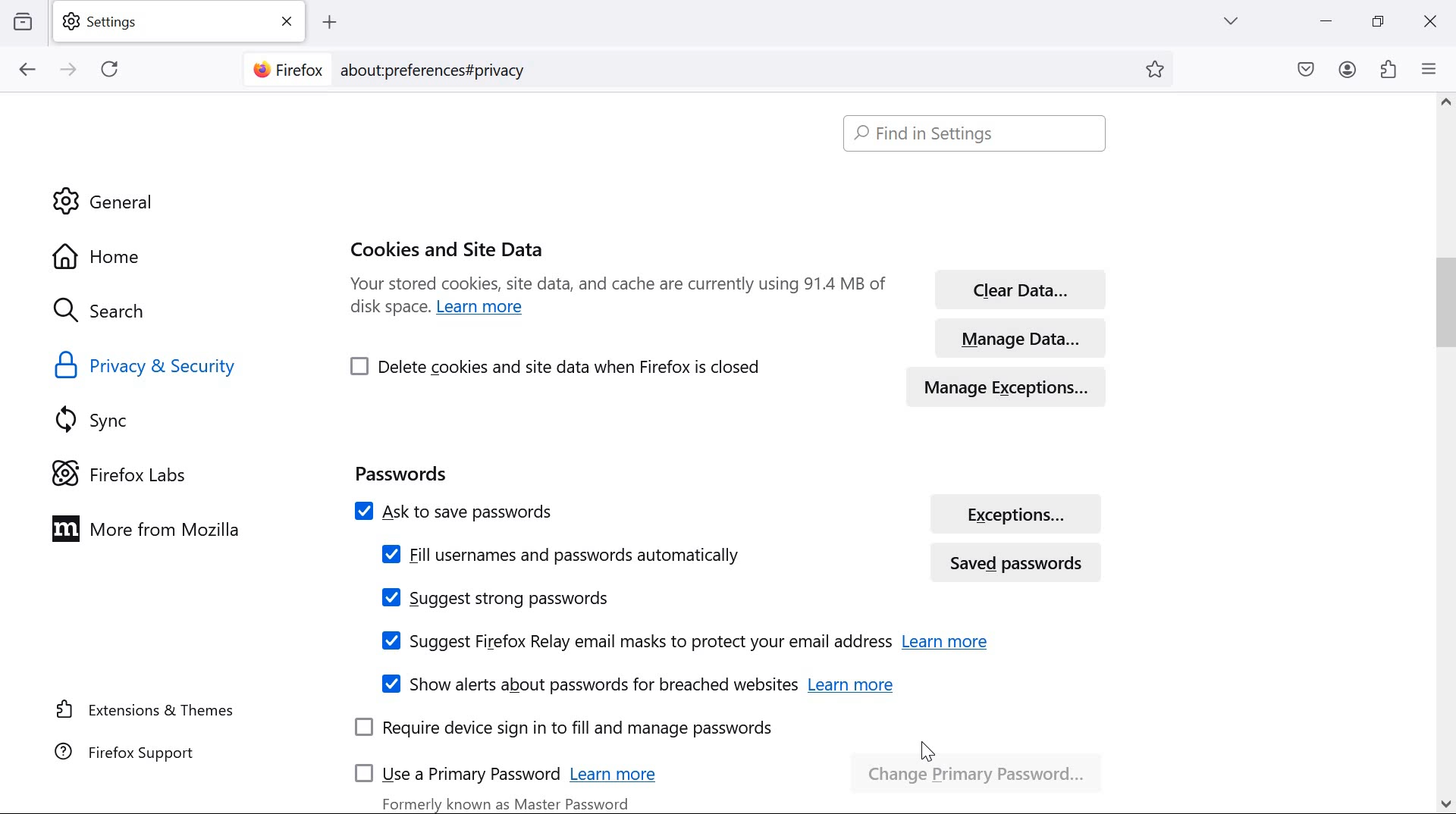  I want to click on save to pocket, so click(1306, 70).